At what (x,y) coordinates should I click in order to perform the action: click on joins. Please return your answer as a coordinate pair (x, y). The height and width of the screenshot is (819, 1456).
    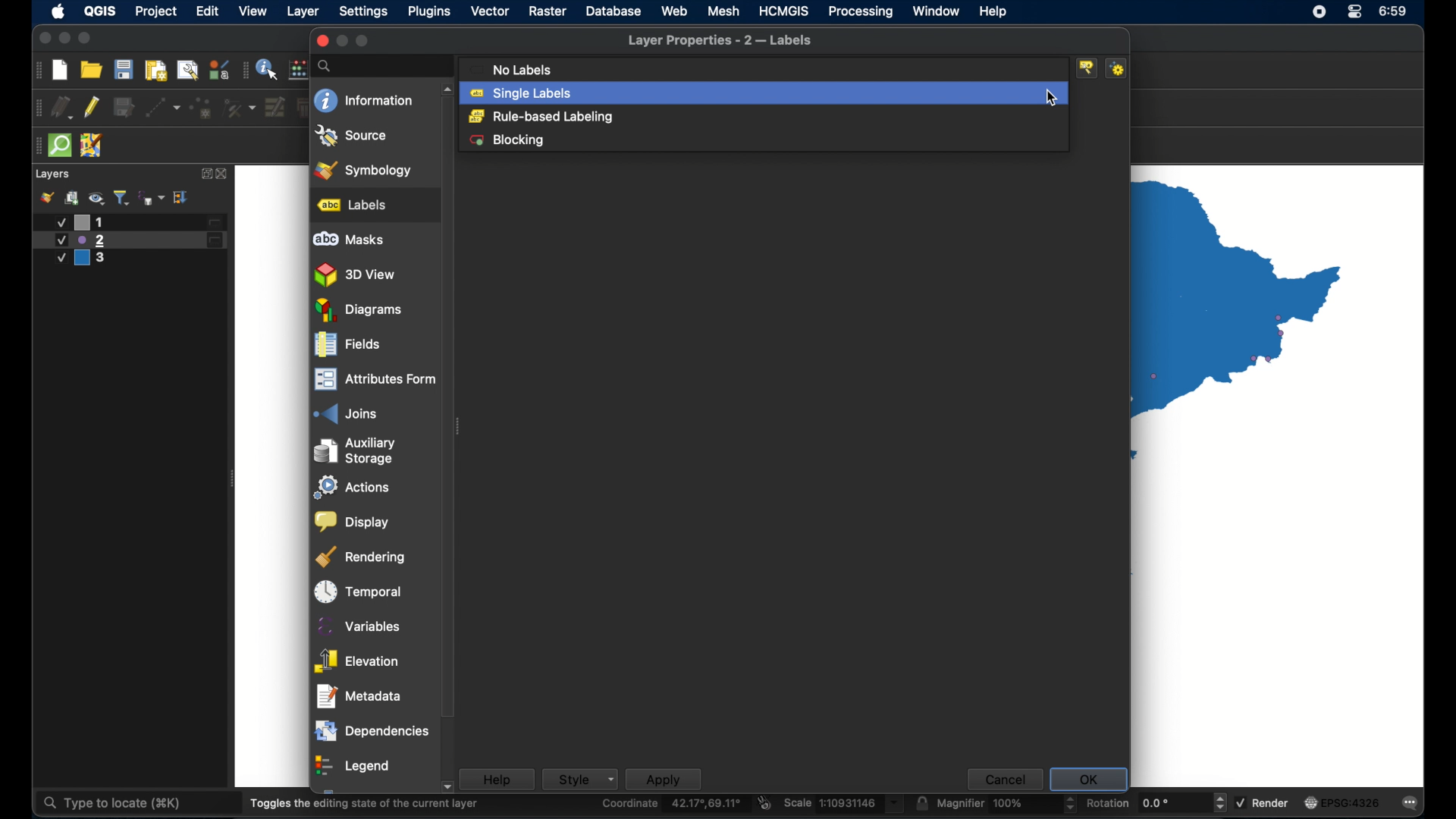
    Looking at the image, I should click on (344, 413).